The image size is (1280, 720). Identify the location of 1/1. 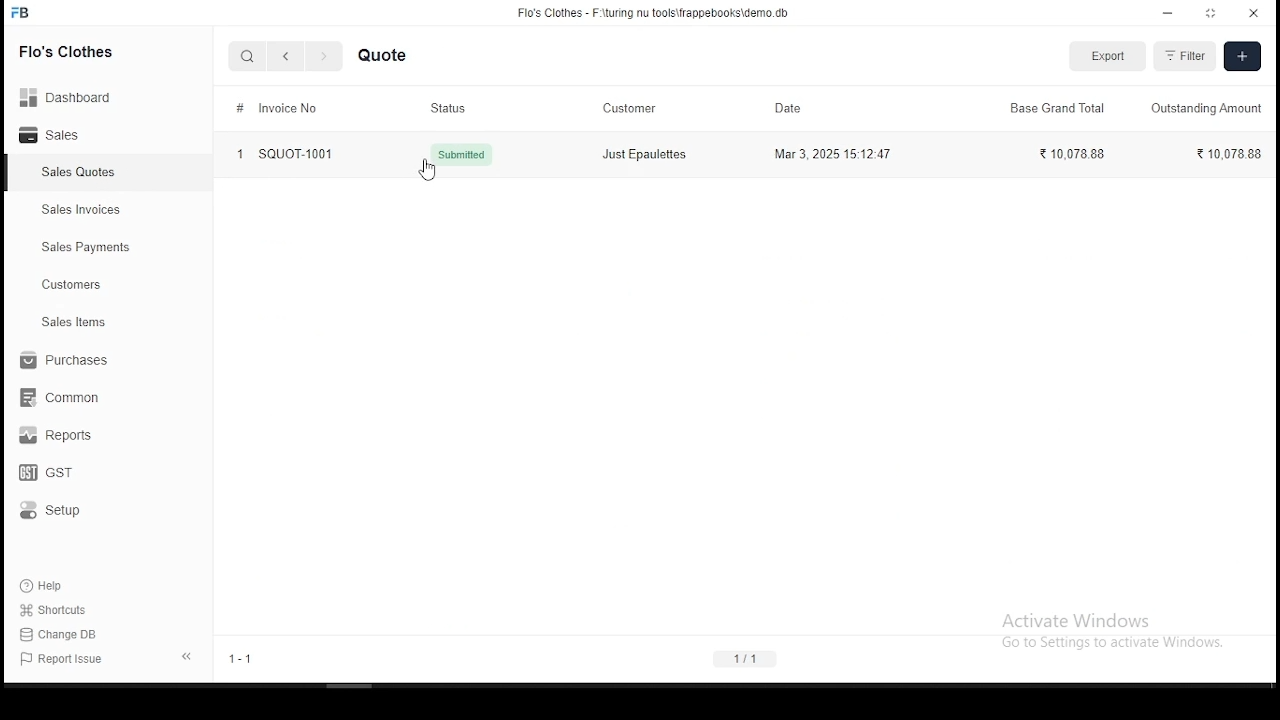
(749, 657).